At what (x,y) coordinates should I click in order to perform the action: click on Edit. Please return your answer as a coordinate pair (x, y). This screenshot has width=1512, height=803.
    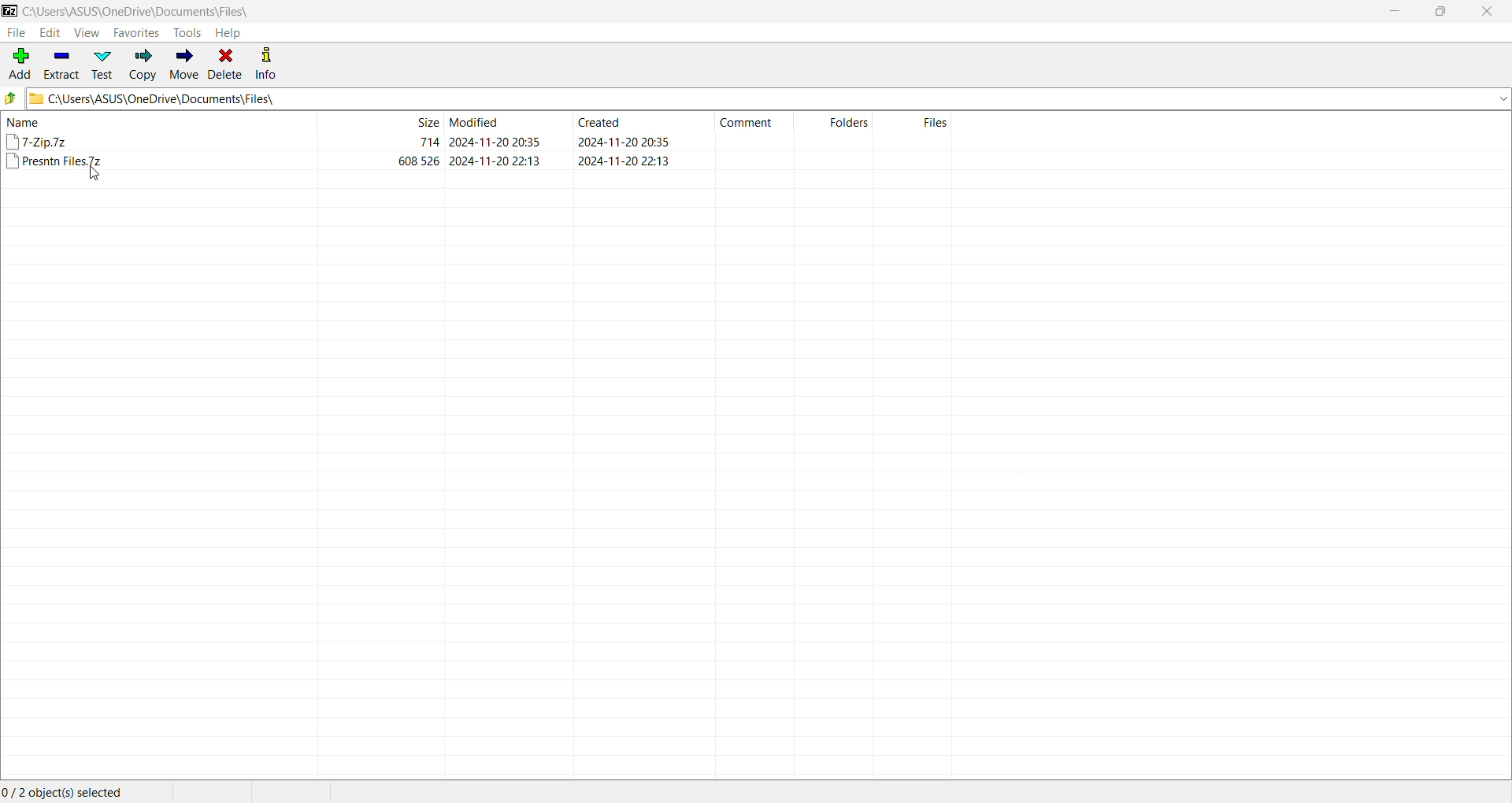
    Looking at the image, I should click on (50, 32).